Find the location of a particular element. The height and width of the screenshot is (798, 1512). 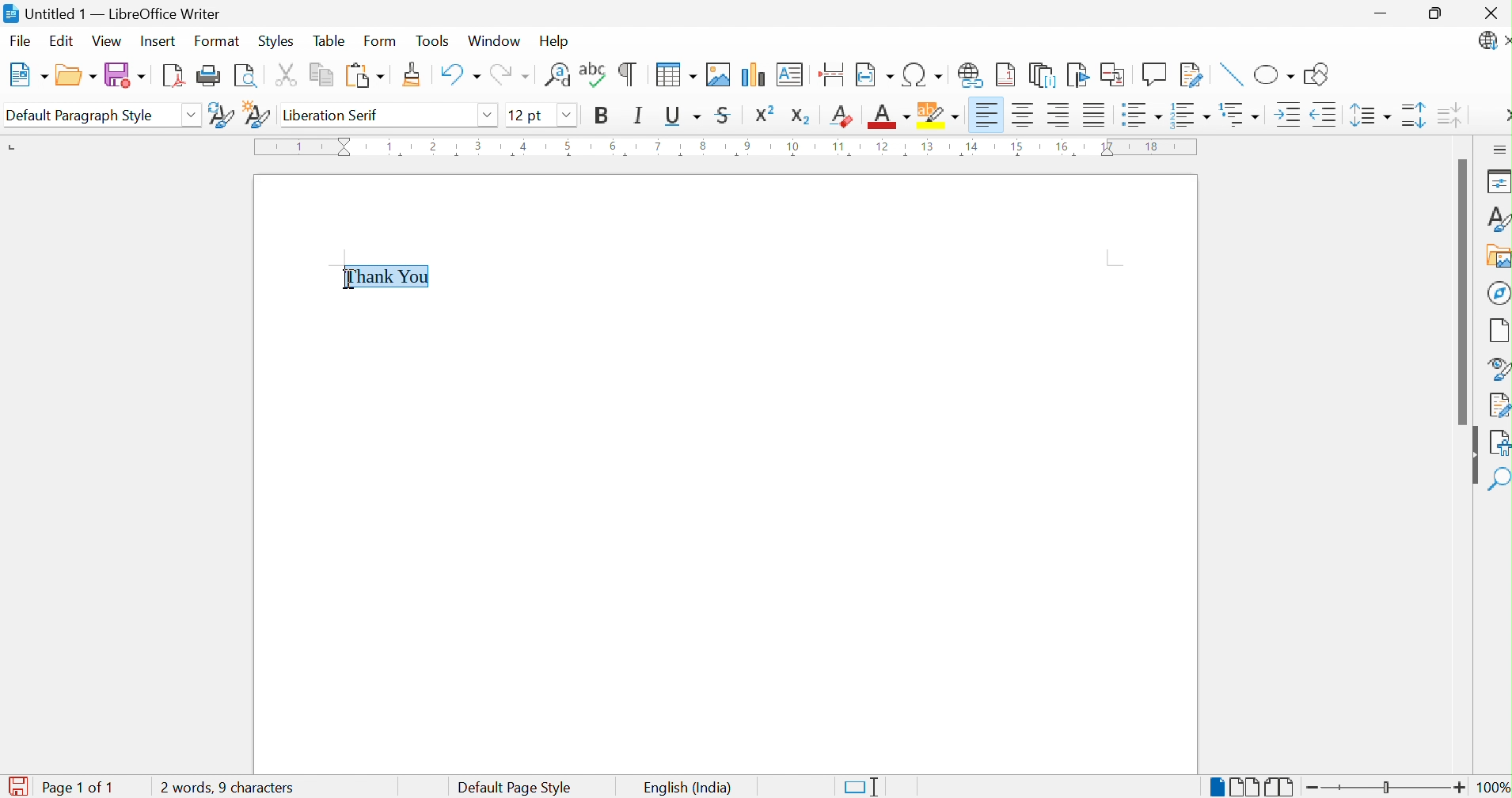

Style Navigator is located at coordinates (1495, 368).